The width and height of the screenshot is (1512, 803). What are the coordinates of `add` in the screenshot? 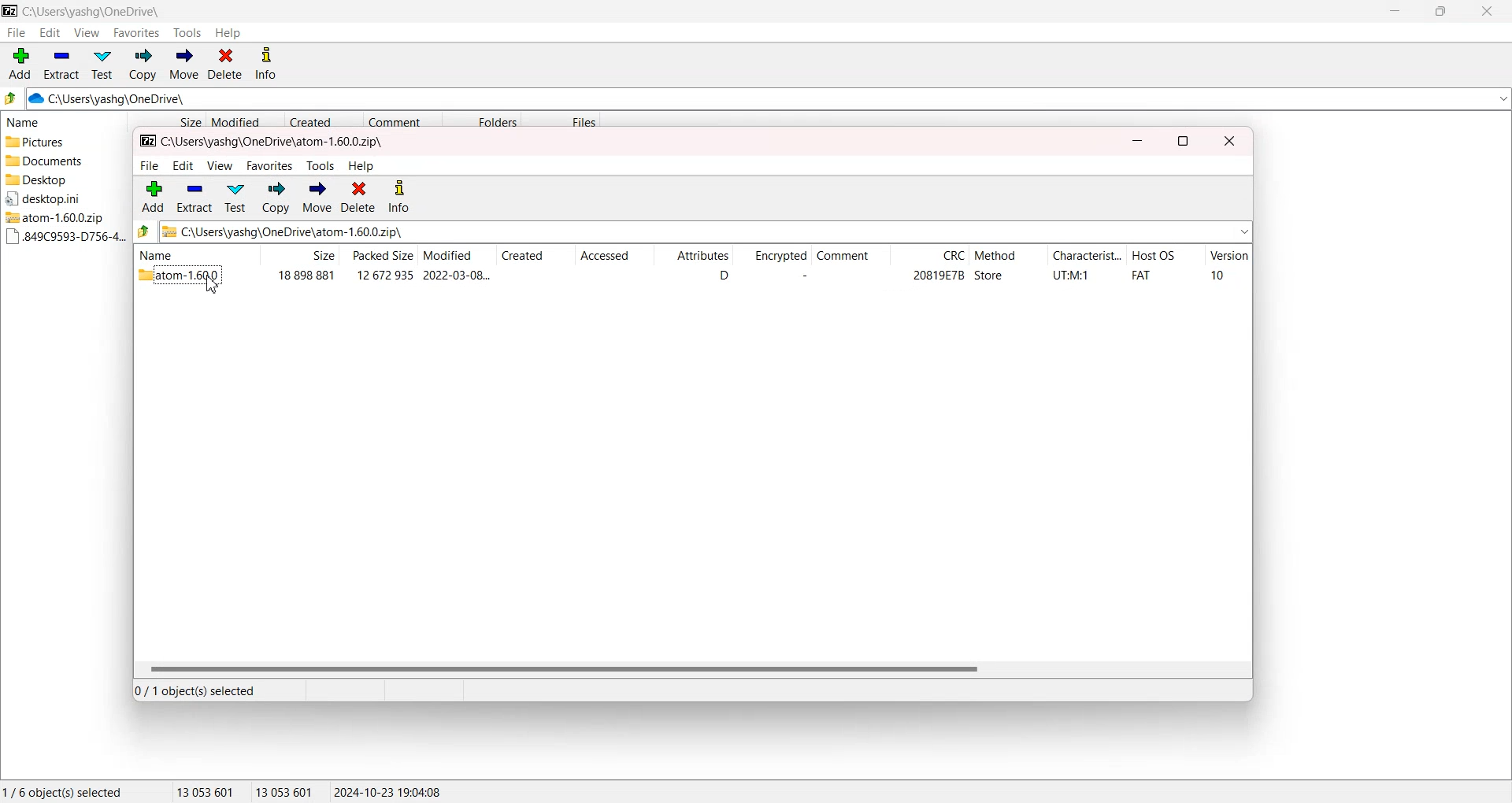 It's located at (154, 196).